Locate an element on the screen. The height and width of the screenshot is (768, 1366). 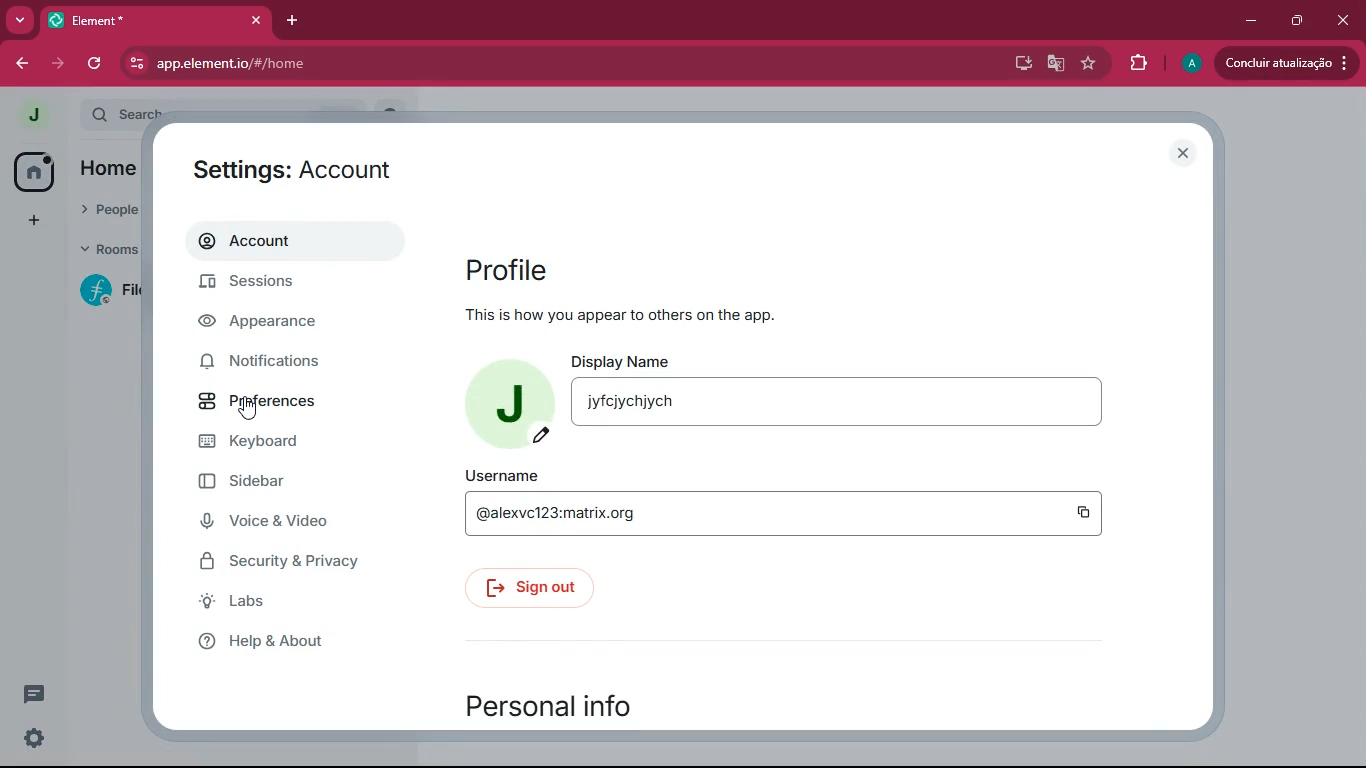
Element* tab is located at coordinates (127, 20).